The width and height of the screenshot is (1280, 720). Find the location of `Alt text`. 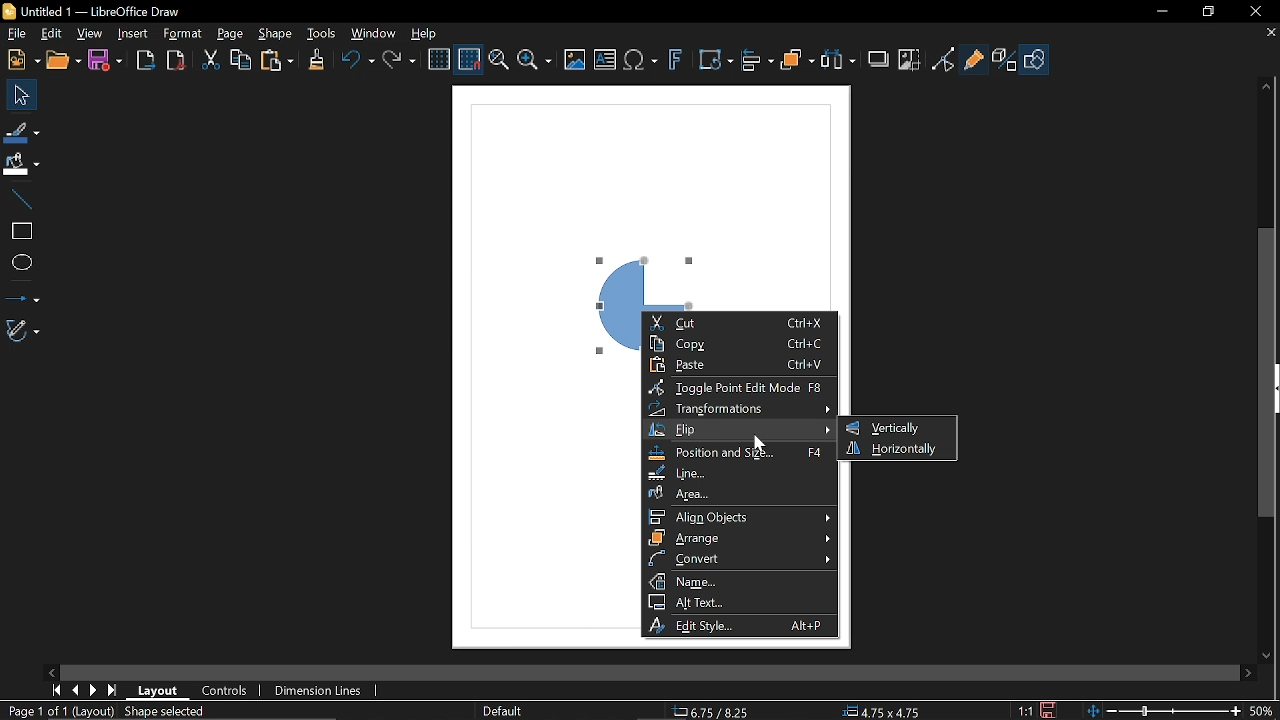

Alt text is located at coordinates (738, 602).